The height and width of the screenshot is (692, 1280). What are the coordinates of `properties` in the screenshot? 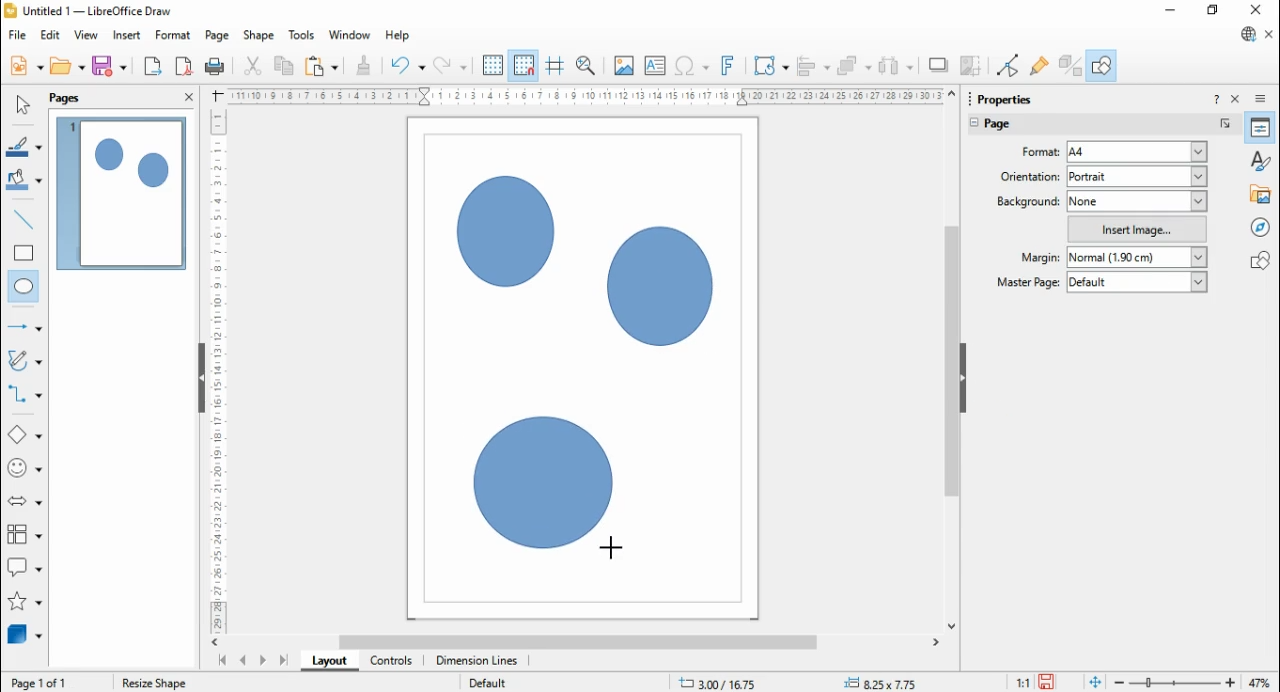 It's located at (1261, 127).